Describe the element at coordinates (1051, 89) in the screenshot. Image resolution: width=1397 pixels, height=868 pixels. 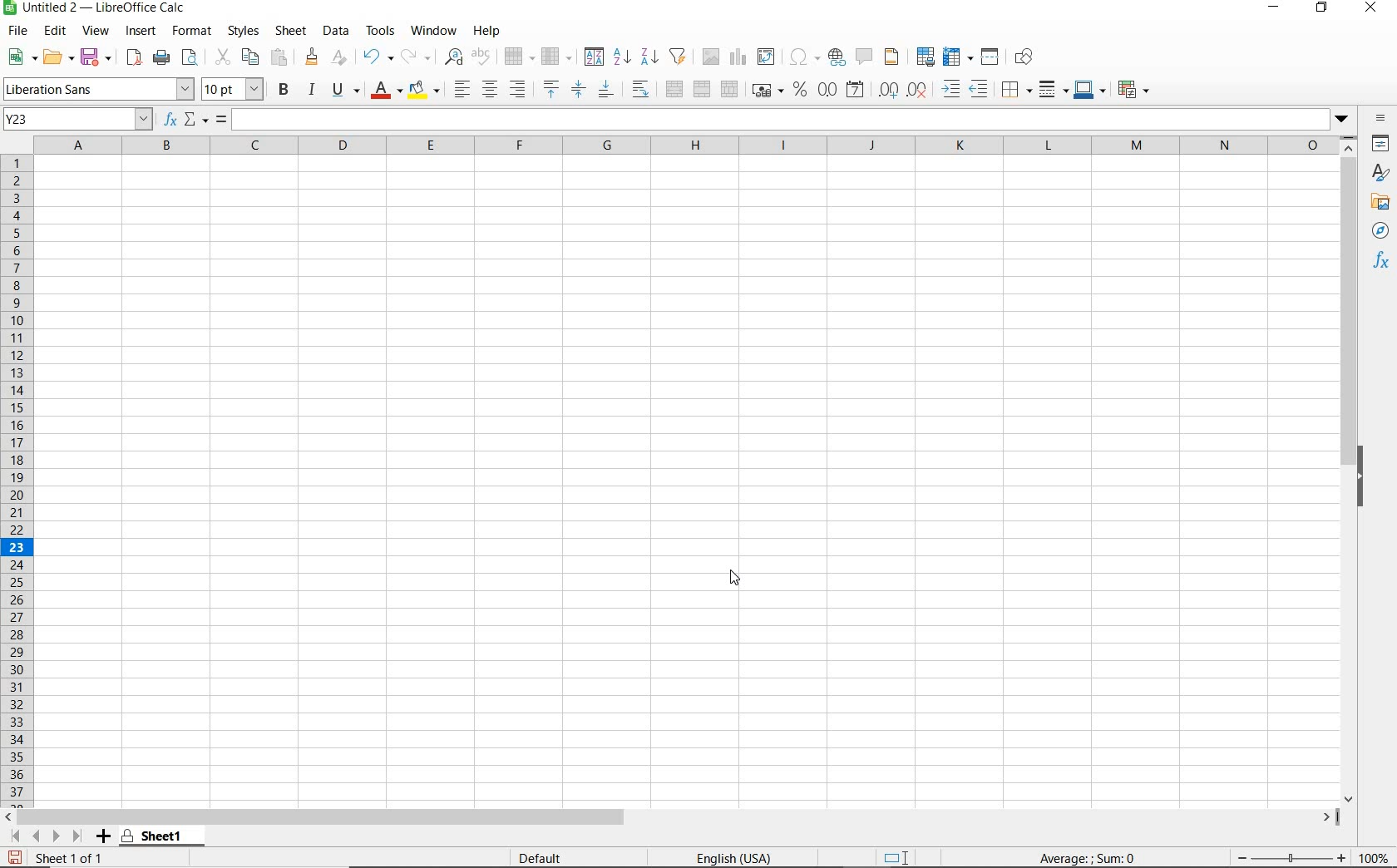
I see `BORDER STYLE` at that location.